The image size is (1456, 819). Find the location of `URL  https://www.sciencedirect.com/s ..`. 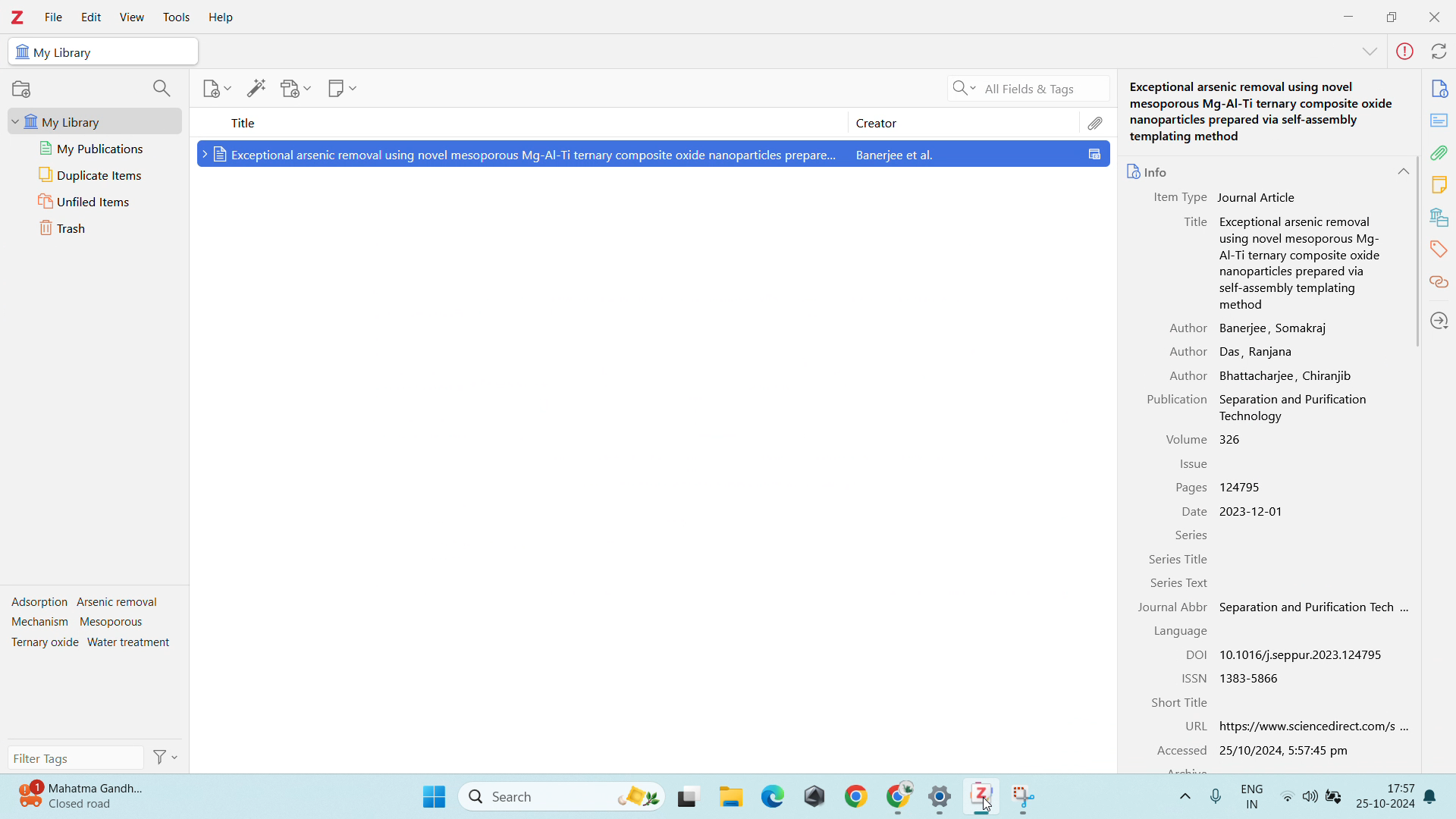

URL  https://www.sciencedirect.com/s .. is located at coordinates (1293, 728).